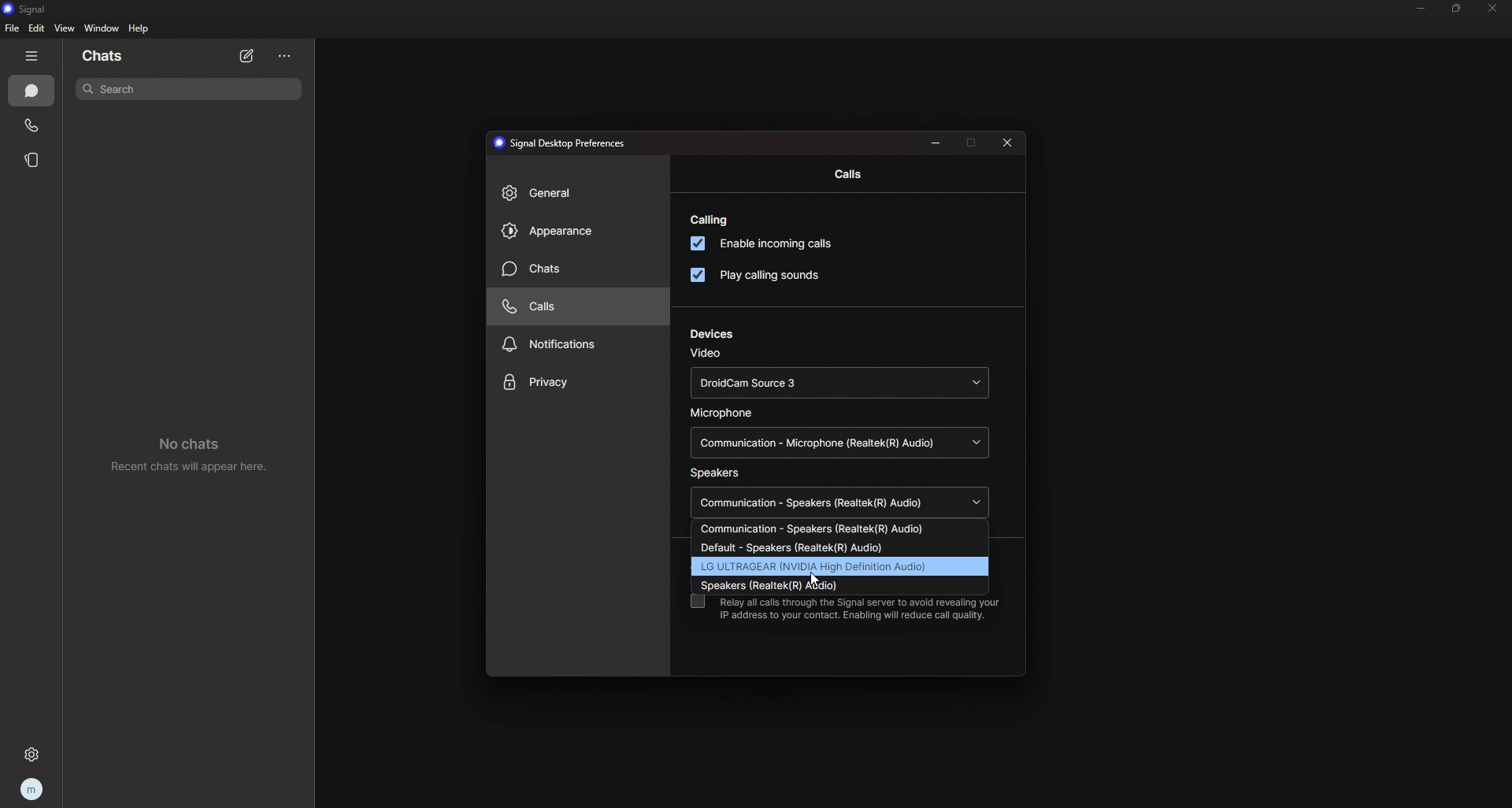 The width and height of the screenshot is (1512, 808). Describe the element at coordinates (936, 143) in the screenshot. I see `minimize` at that location.